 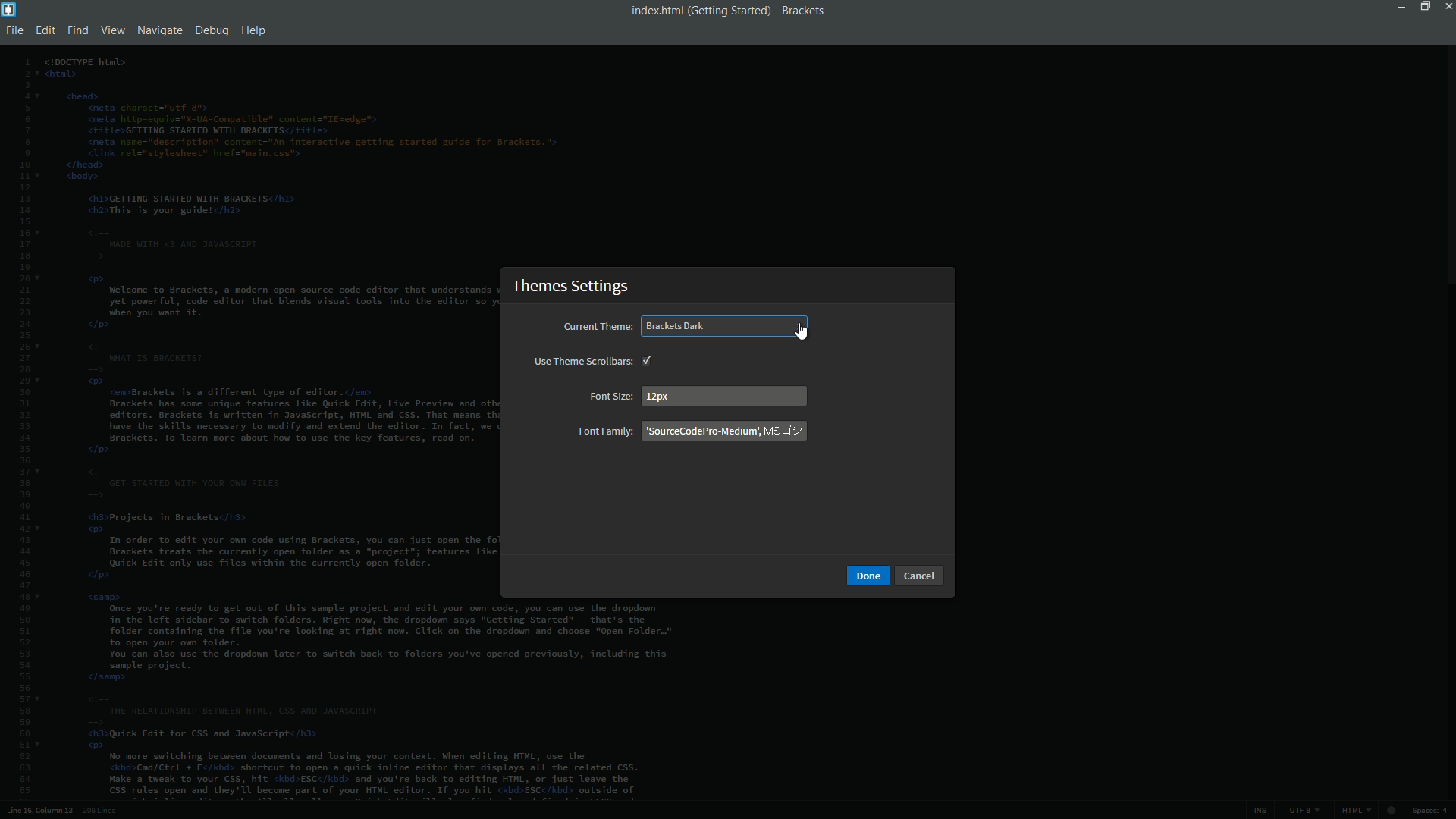 What do you see at coordinates (1432, 811) in the screenshot?
I see `spaces` at bounding box center [1432, 811].